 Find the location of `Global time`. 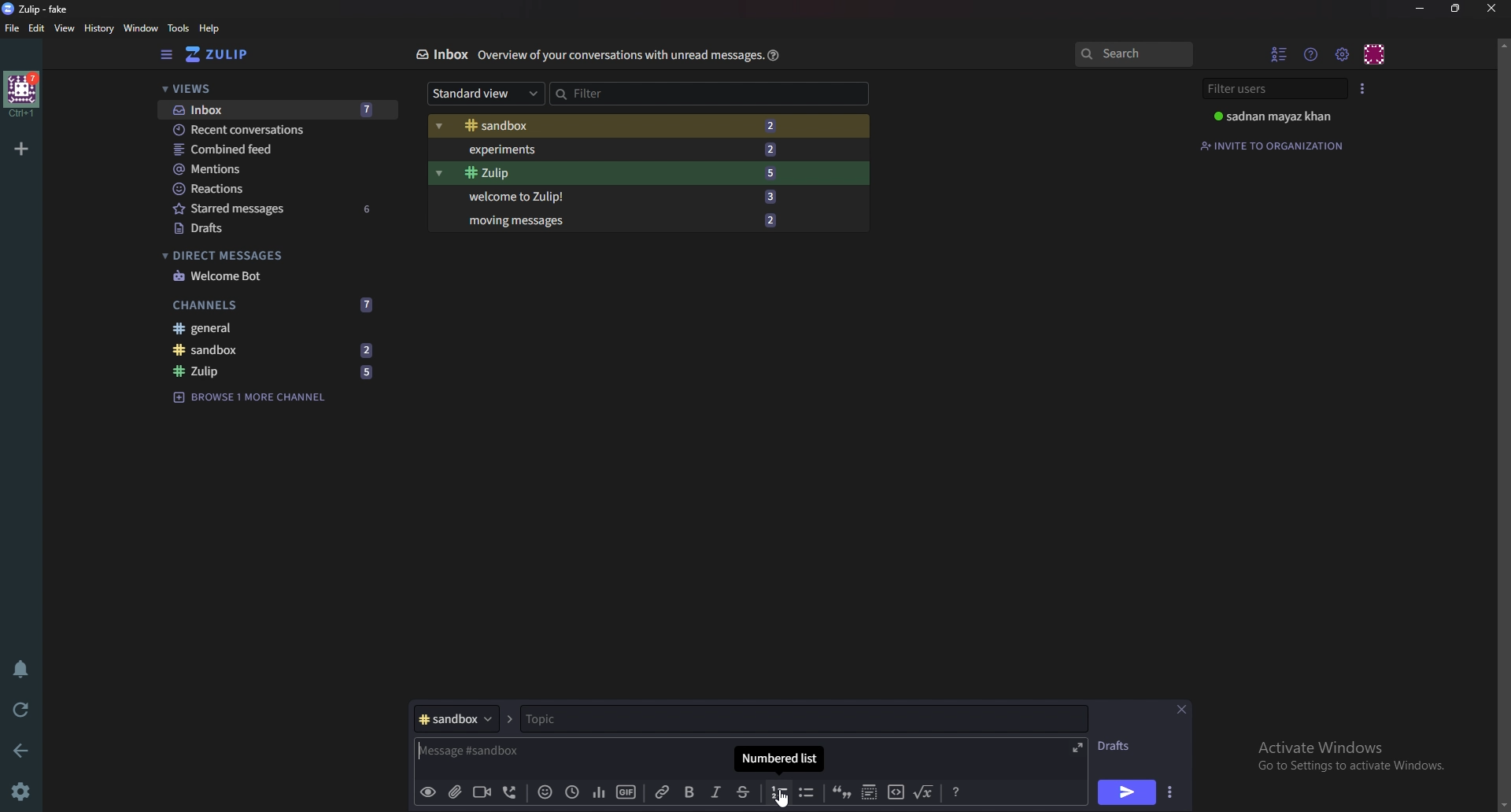

Global time is located at coordinates (571, 791).